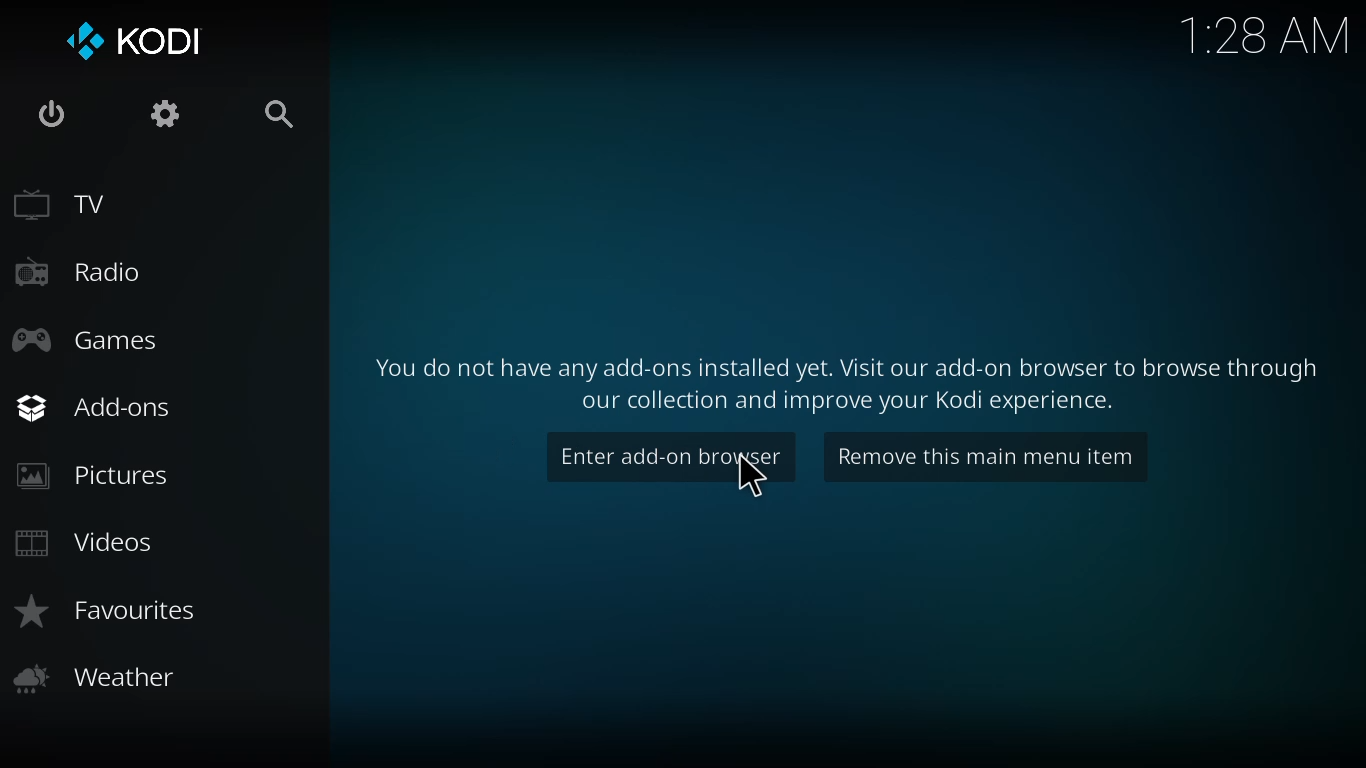 Image resolution: width=1366 pixels, height=768 pixels. What do you see at coordinates (988, 456) in the screenshot?
I see `remove this main menu item` at bounding box center [988, 456].